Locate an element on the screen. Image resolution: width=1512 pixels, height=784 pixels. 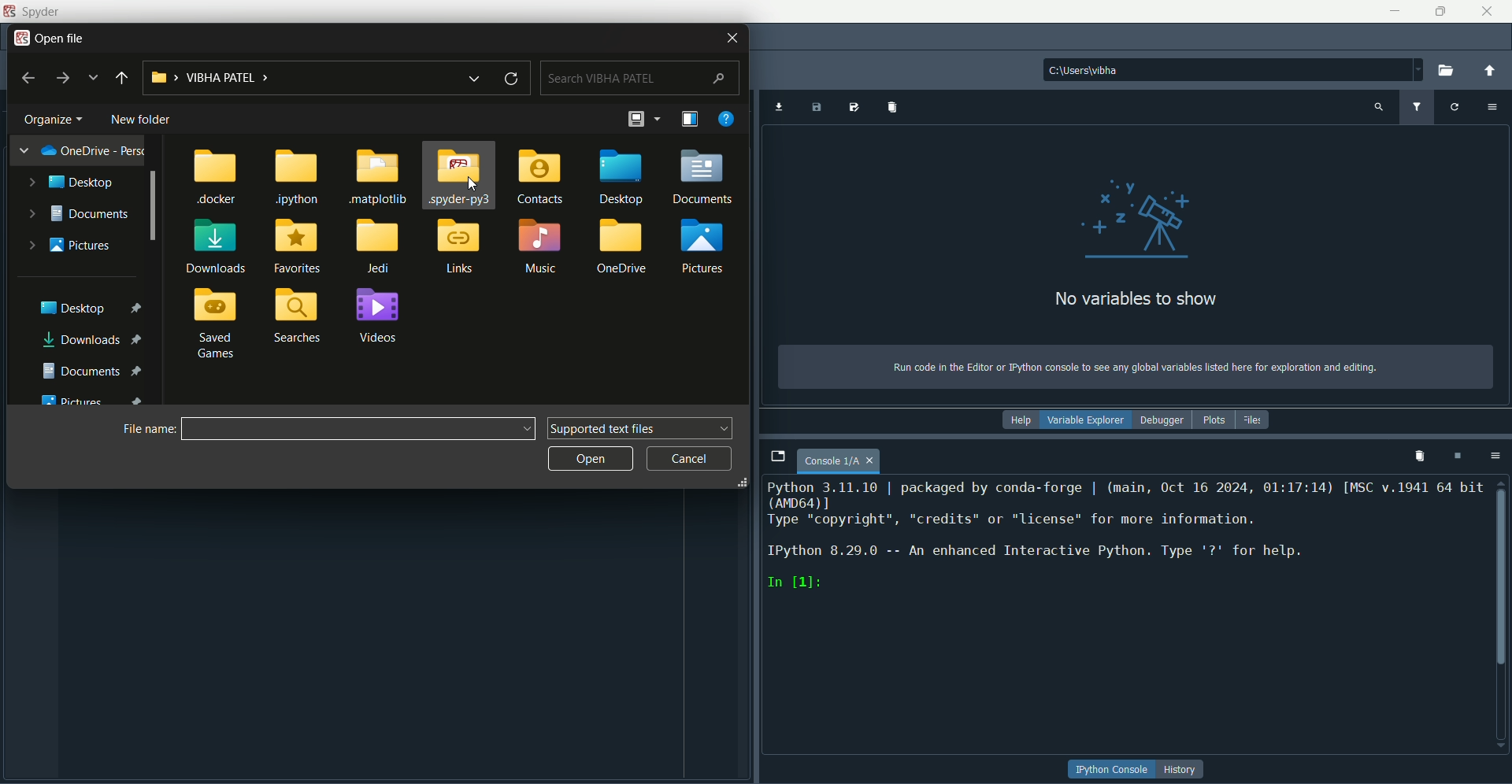
folder is located at coordinates (459, 246).